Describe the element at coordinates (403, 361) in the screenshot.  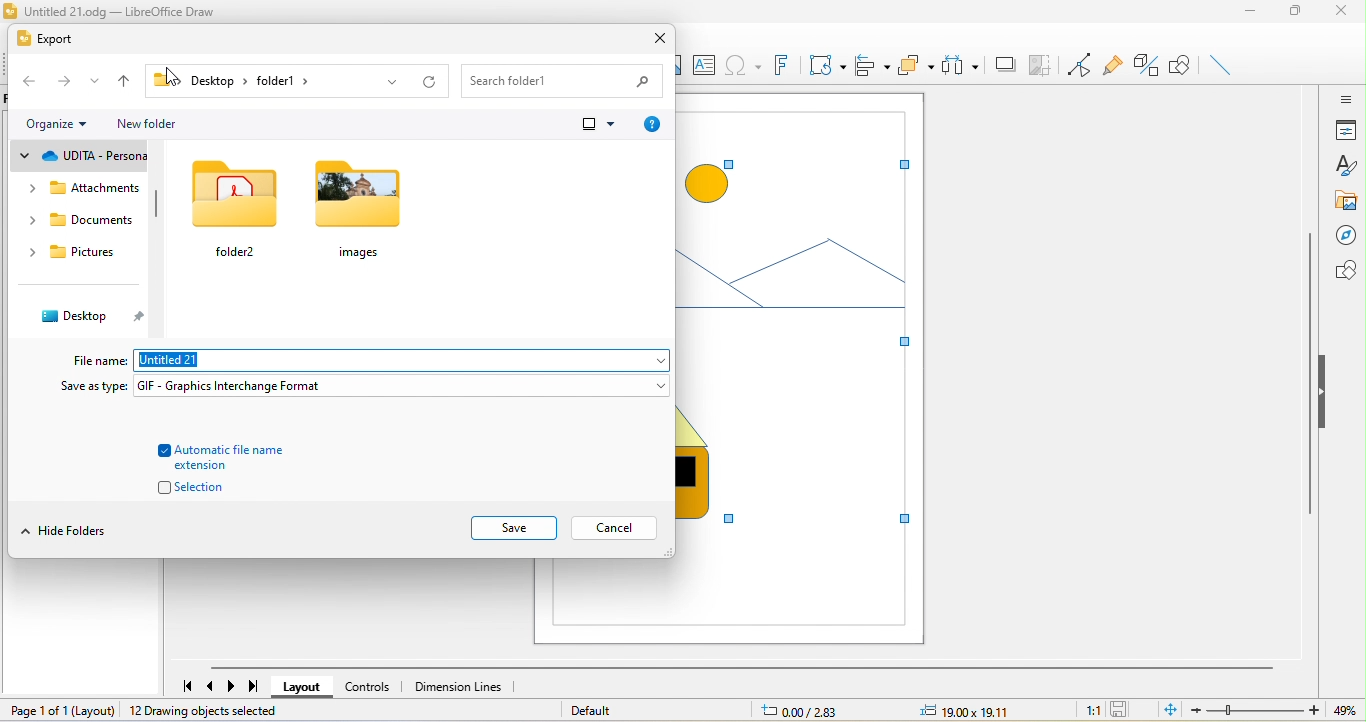
I see `untitled21` at that location.